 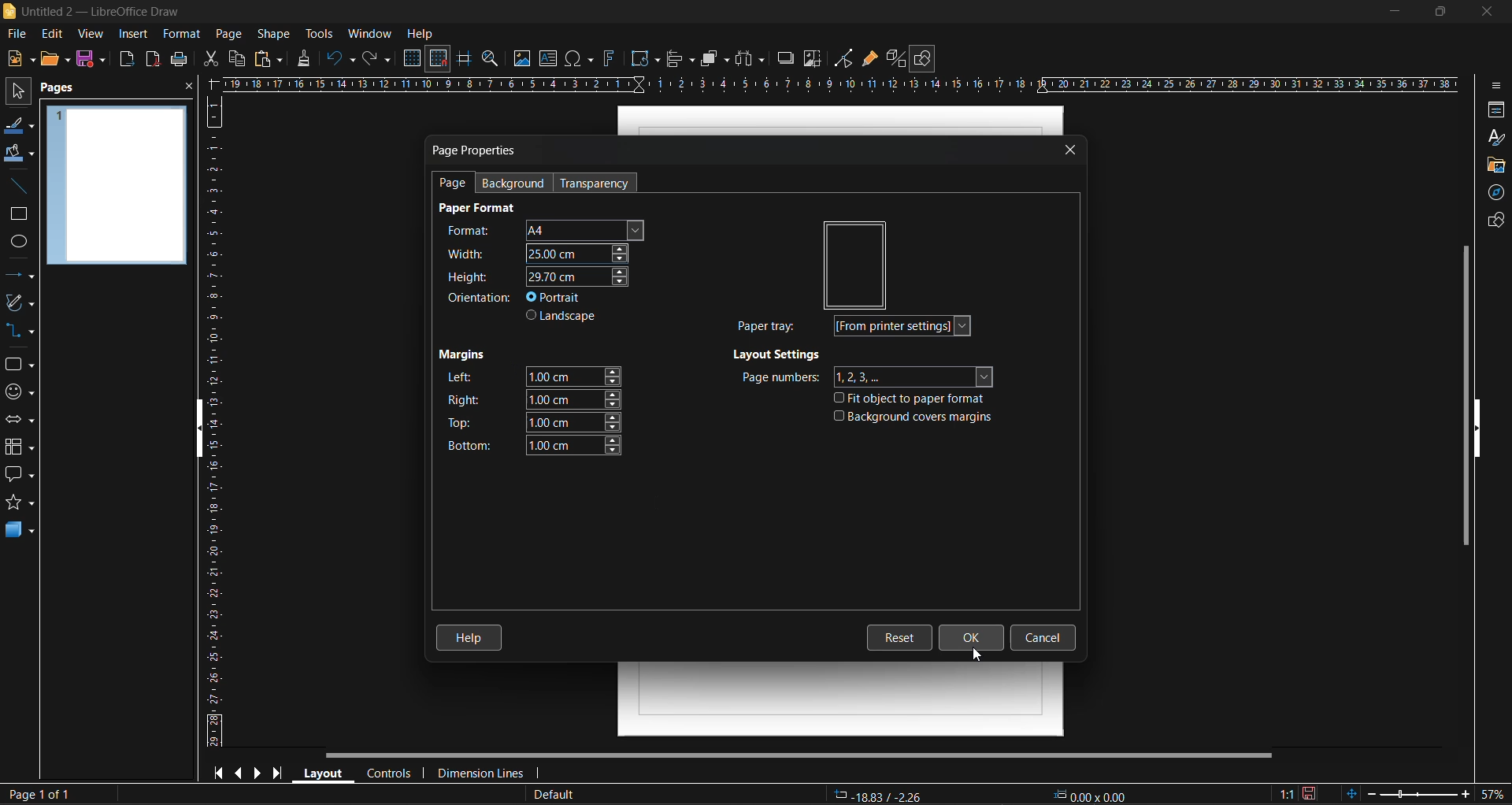 What do you see at coordinates (23, 478) in the screenshot?
I see `callout shapes` at bounding box center [23, 478].